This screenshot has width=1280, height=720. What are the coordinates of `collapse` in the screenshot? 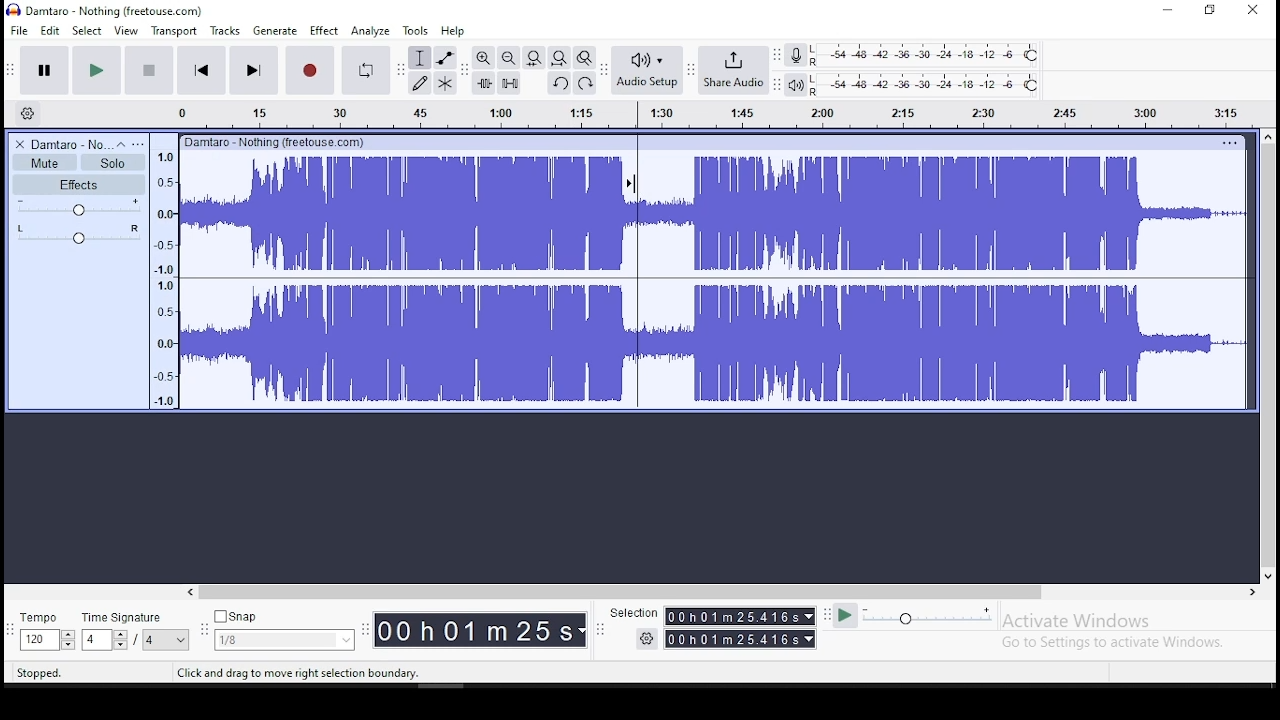 It's located at (119, 143).